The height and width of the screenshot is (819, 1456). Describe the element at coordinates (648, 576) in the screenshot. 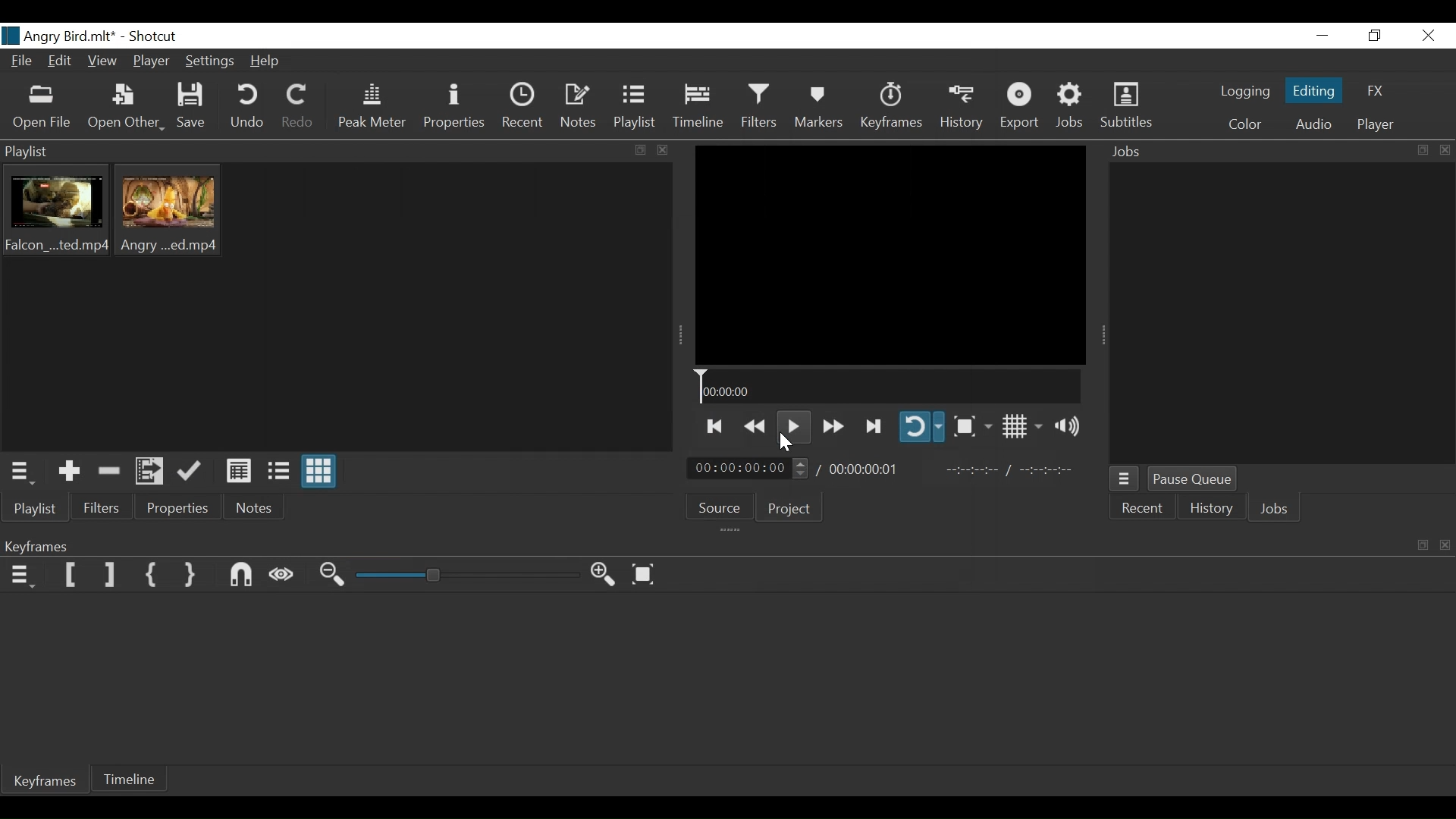

I see `Zoom Keyframe to fit` at that location.